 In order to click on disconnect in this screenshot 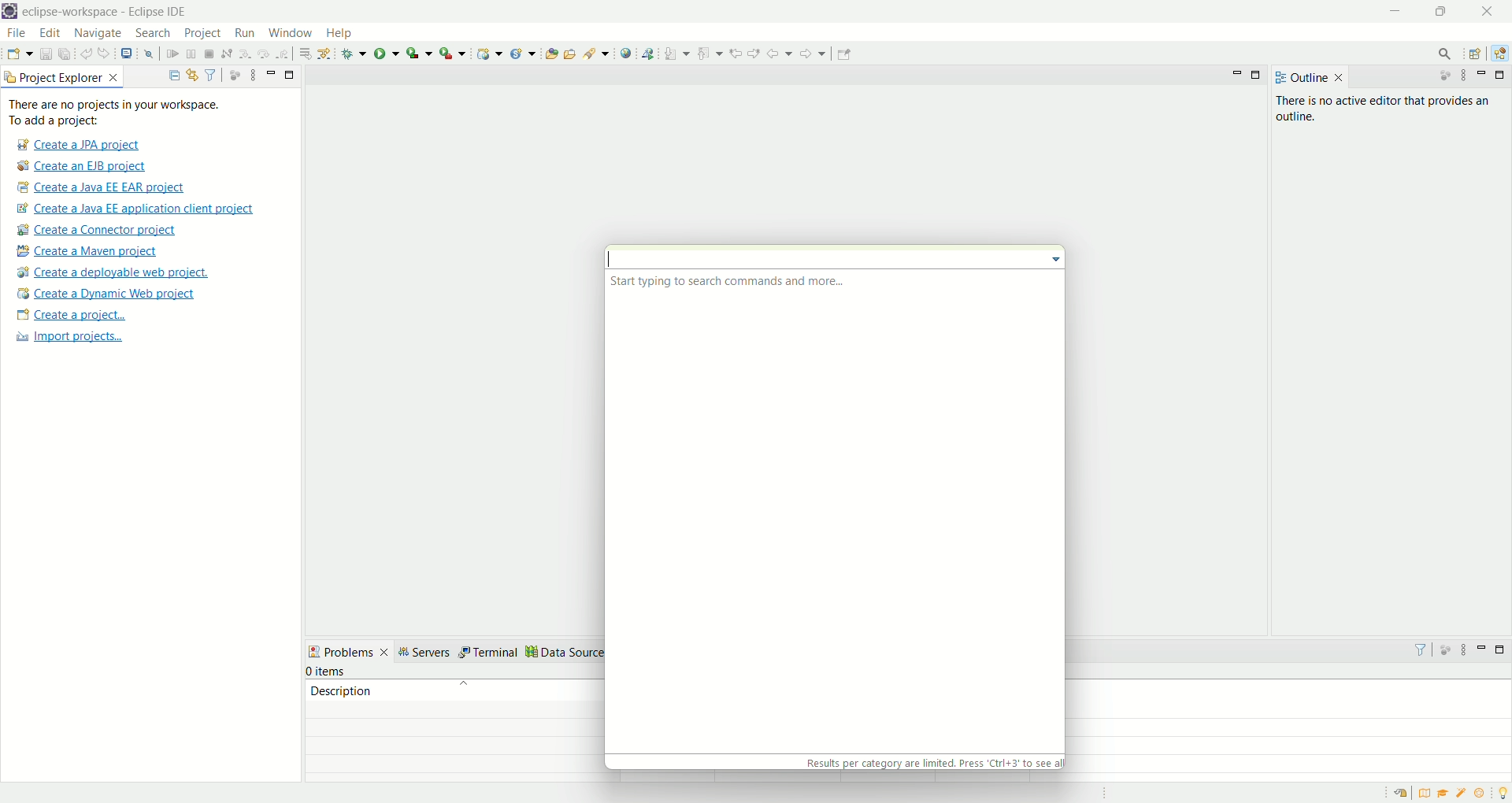, I will do `click(226, 53)`.